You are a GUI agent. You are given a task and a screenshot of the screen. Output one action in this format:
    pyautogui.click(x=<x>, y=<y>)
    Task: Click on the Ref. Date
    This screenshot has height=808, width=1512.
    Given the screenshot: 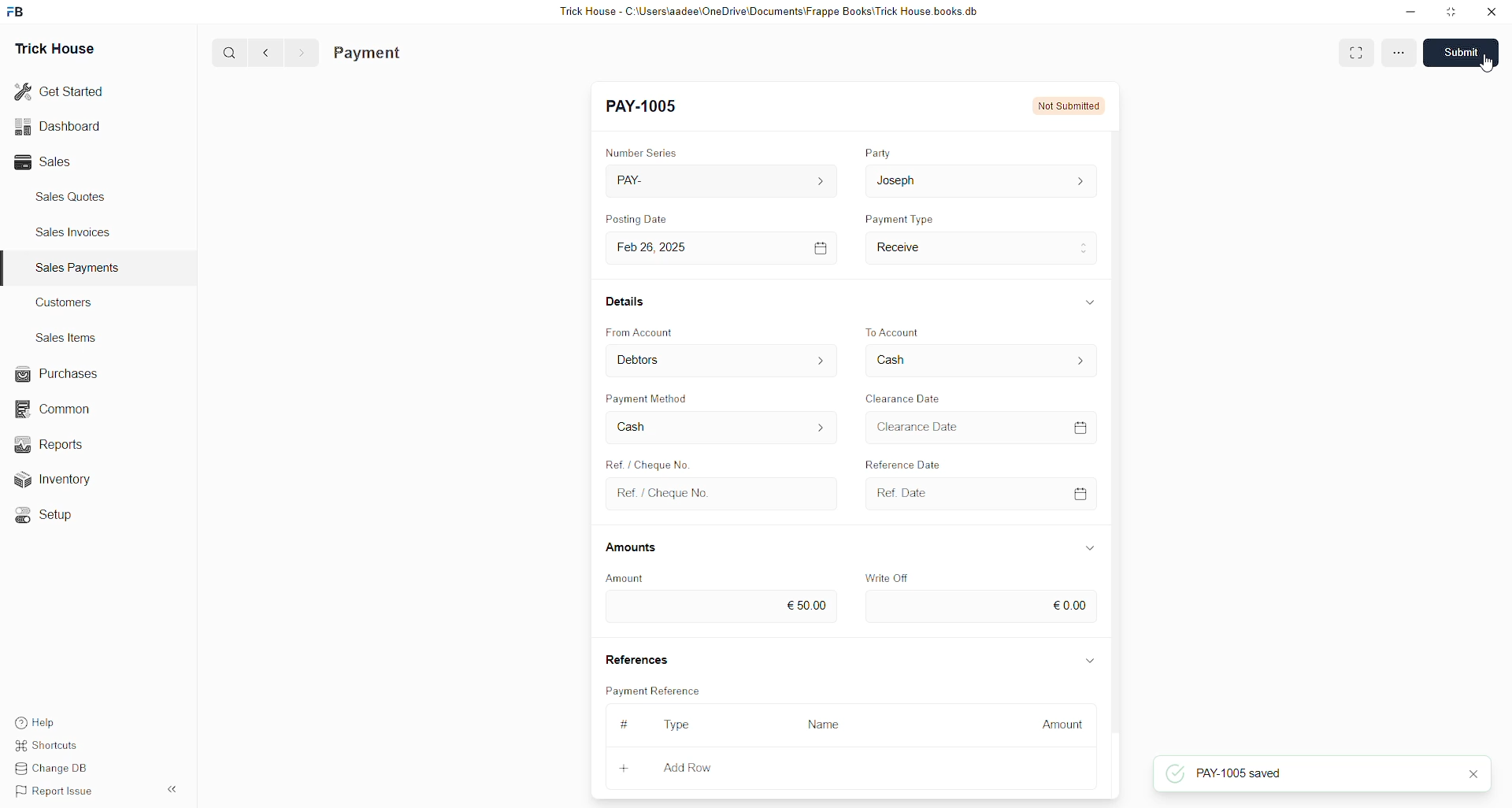 What is the action you would take?
    pyautogui.click(x=983, y=494)
    